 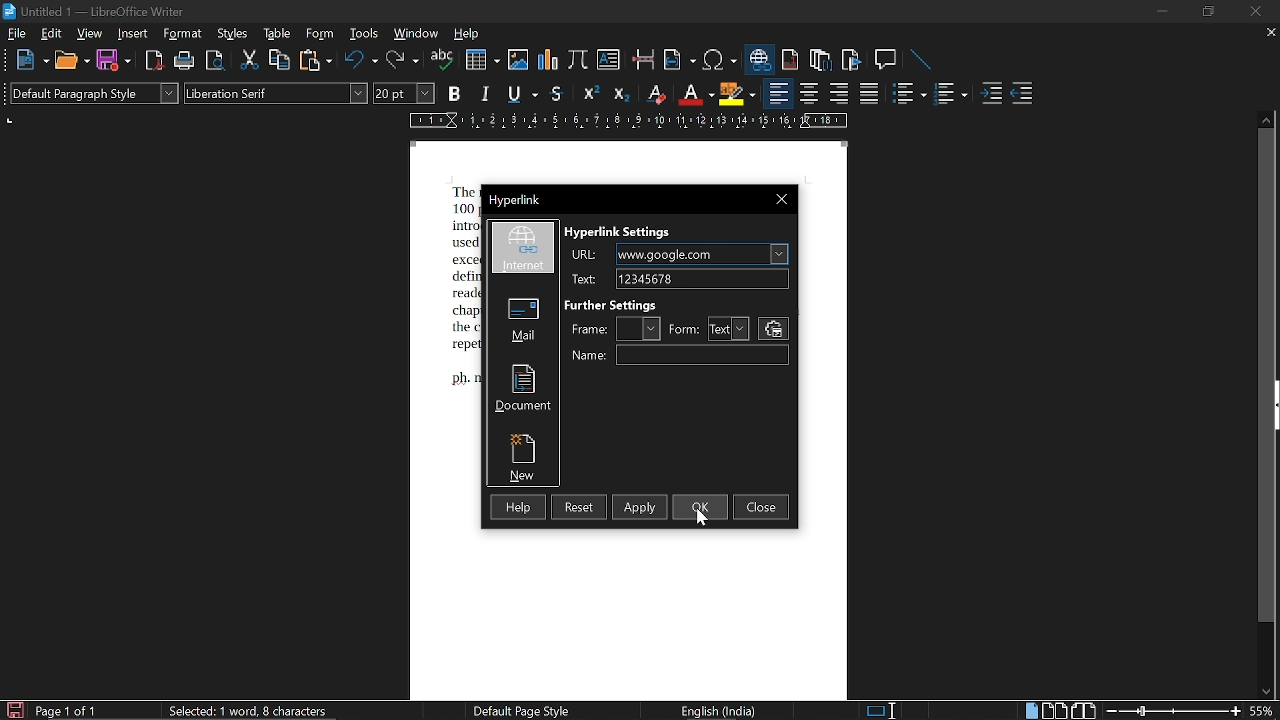 What do you see at coordinates (517, 60) in the screenshot?
I see `insert image` at bounding box center [517, 60].